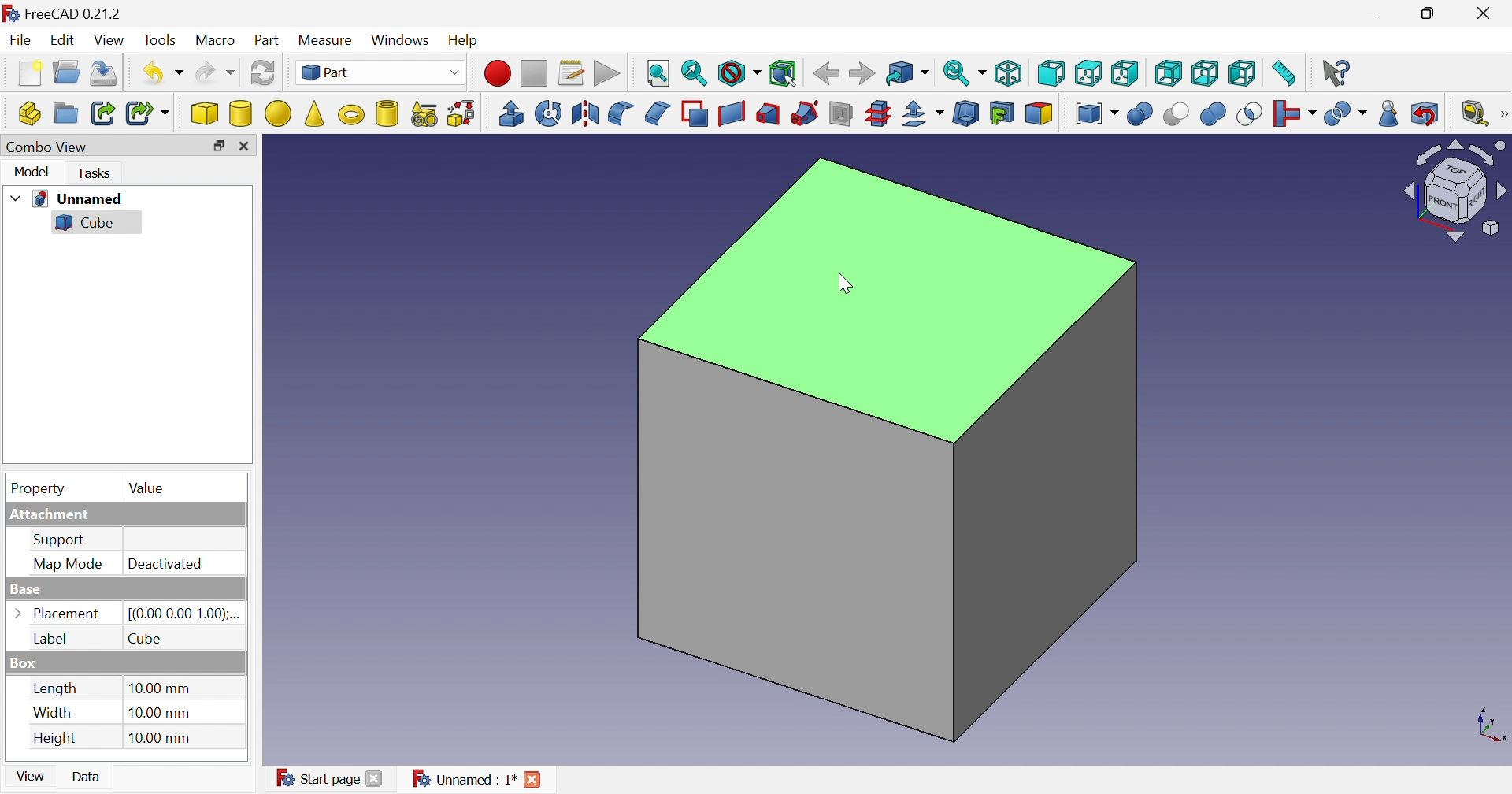 Image resolution: width=1512 pixels, height=794 pixels. Describe the element at coordinates (740, 72) in the screenshot. I see `Draw style` at that location.